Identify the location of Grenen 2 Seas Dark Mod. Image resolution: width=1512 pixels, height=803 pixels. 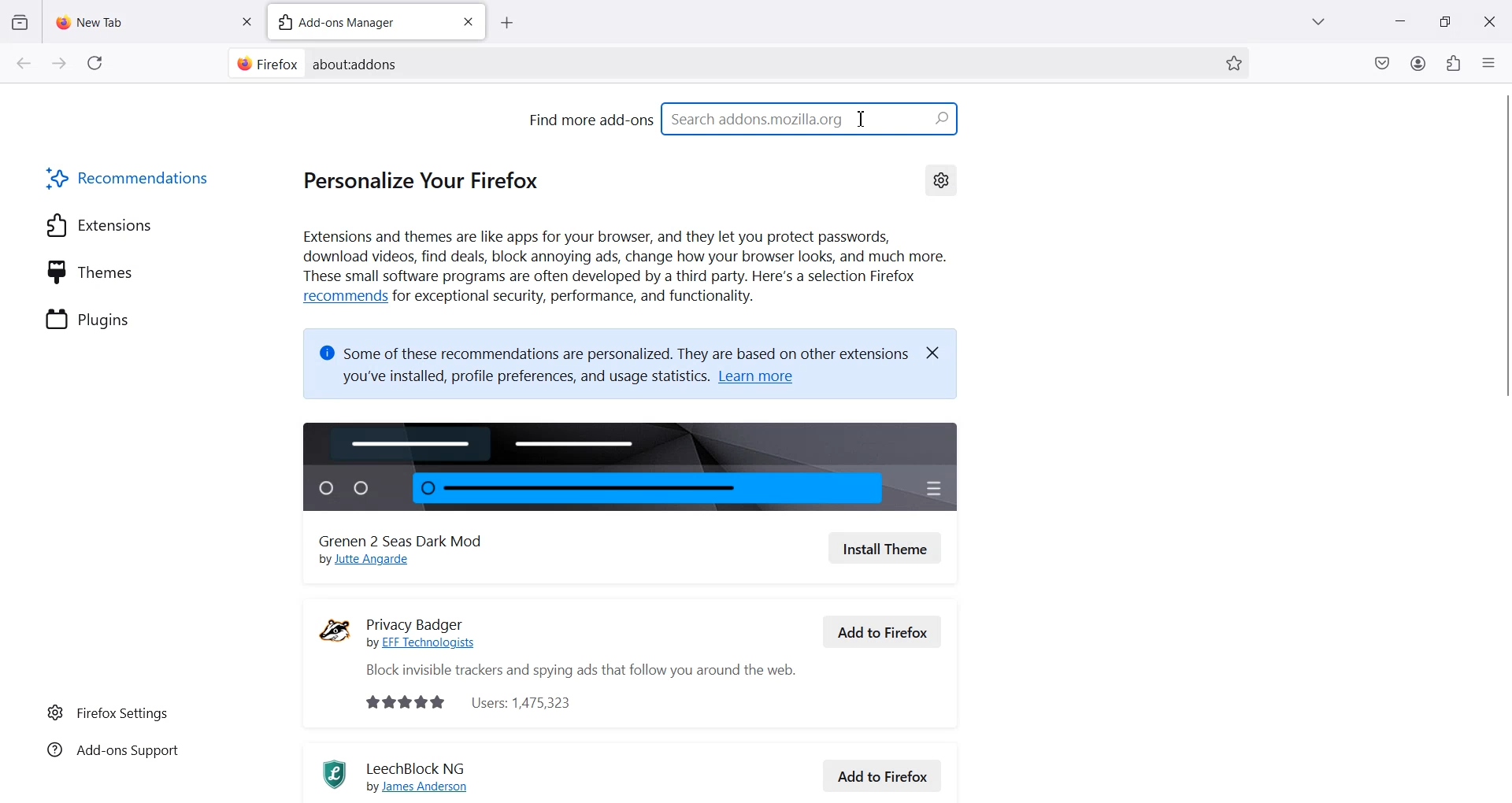
(410, 538).